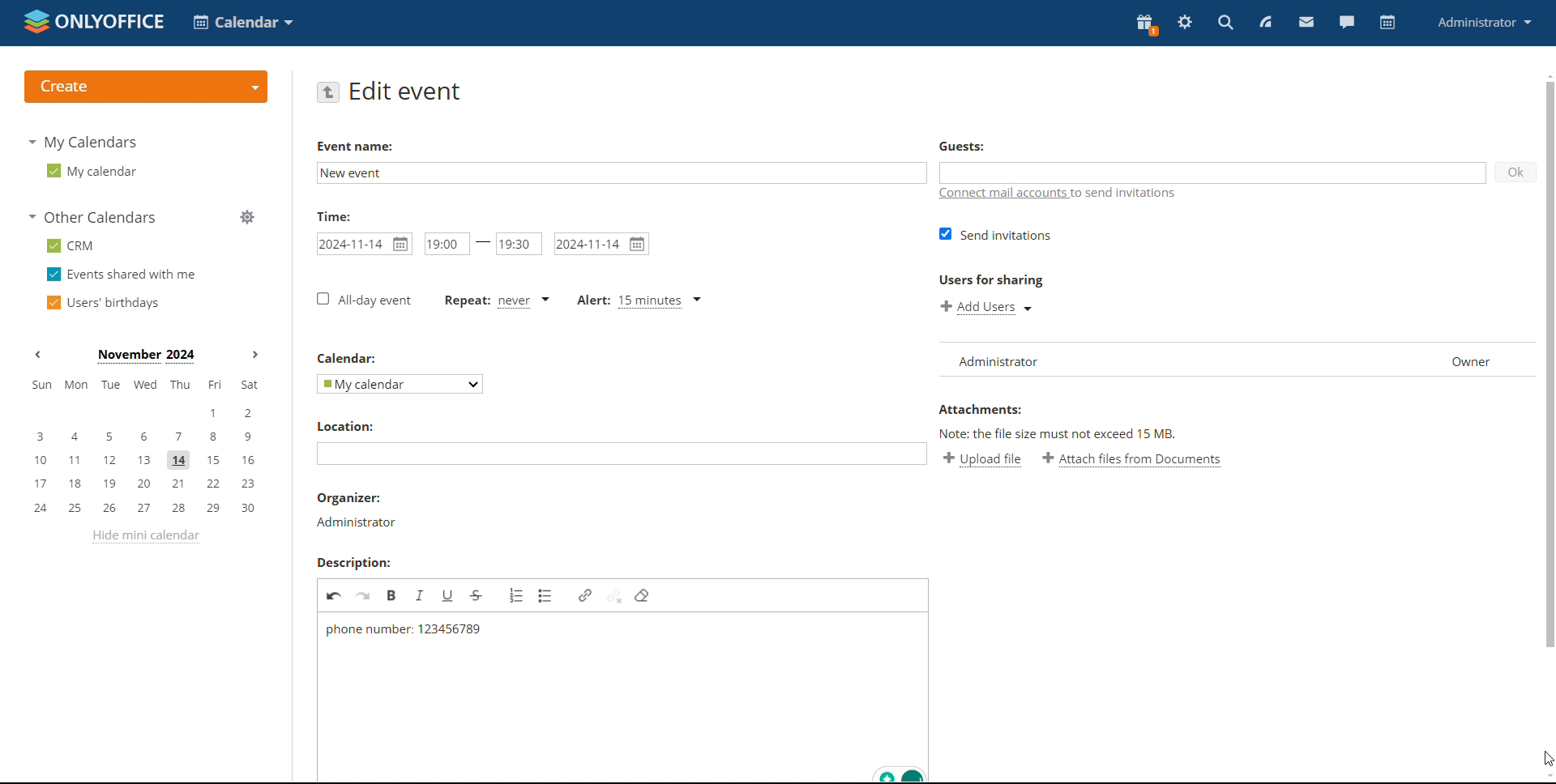 This screenshot has width=1556, height=784. Describe the element at coordinates (80, 141) in the screenshot. I see `my calendars` at that location.